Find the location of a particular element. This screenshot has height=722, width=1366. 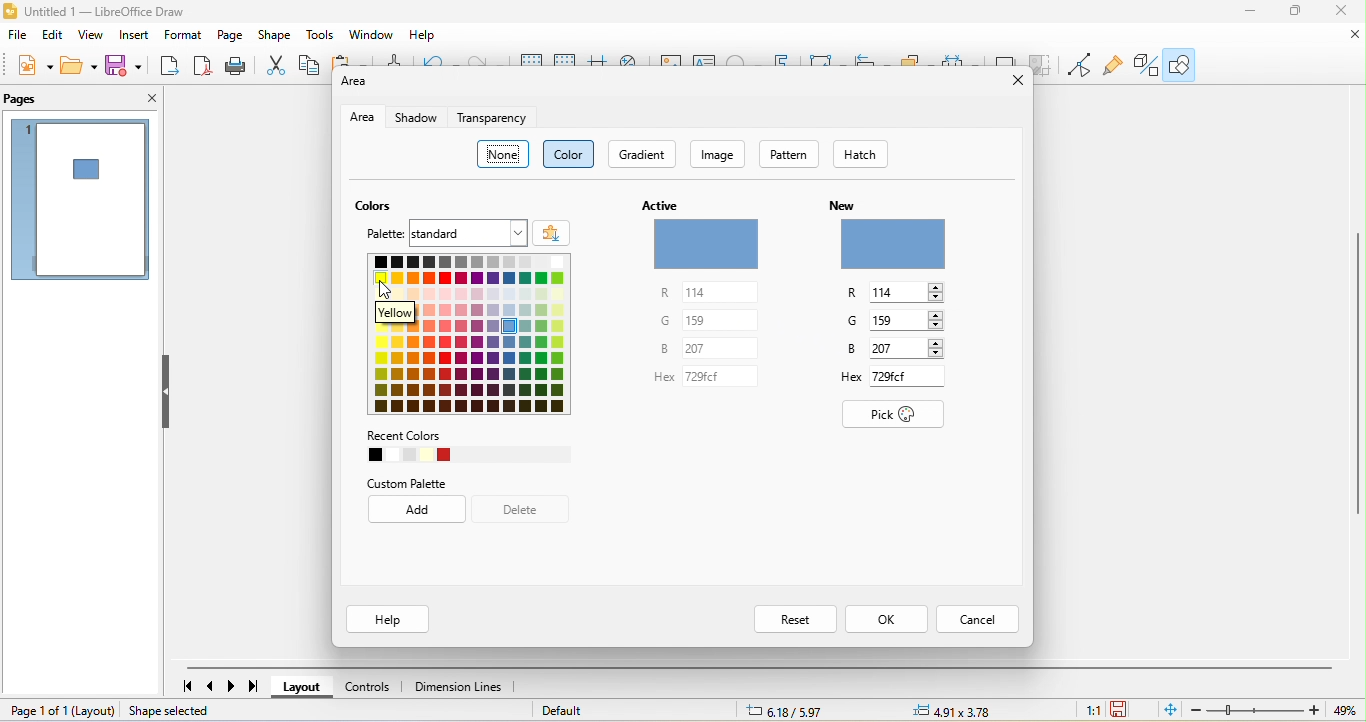

 is located at coordinates (500, 155).